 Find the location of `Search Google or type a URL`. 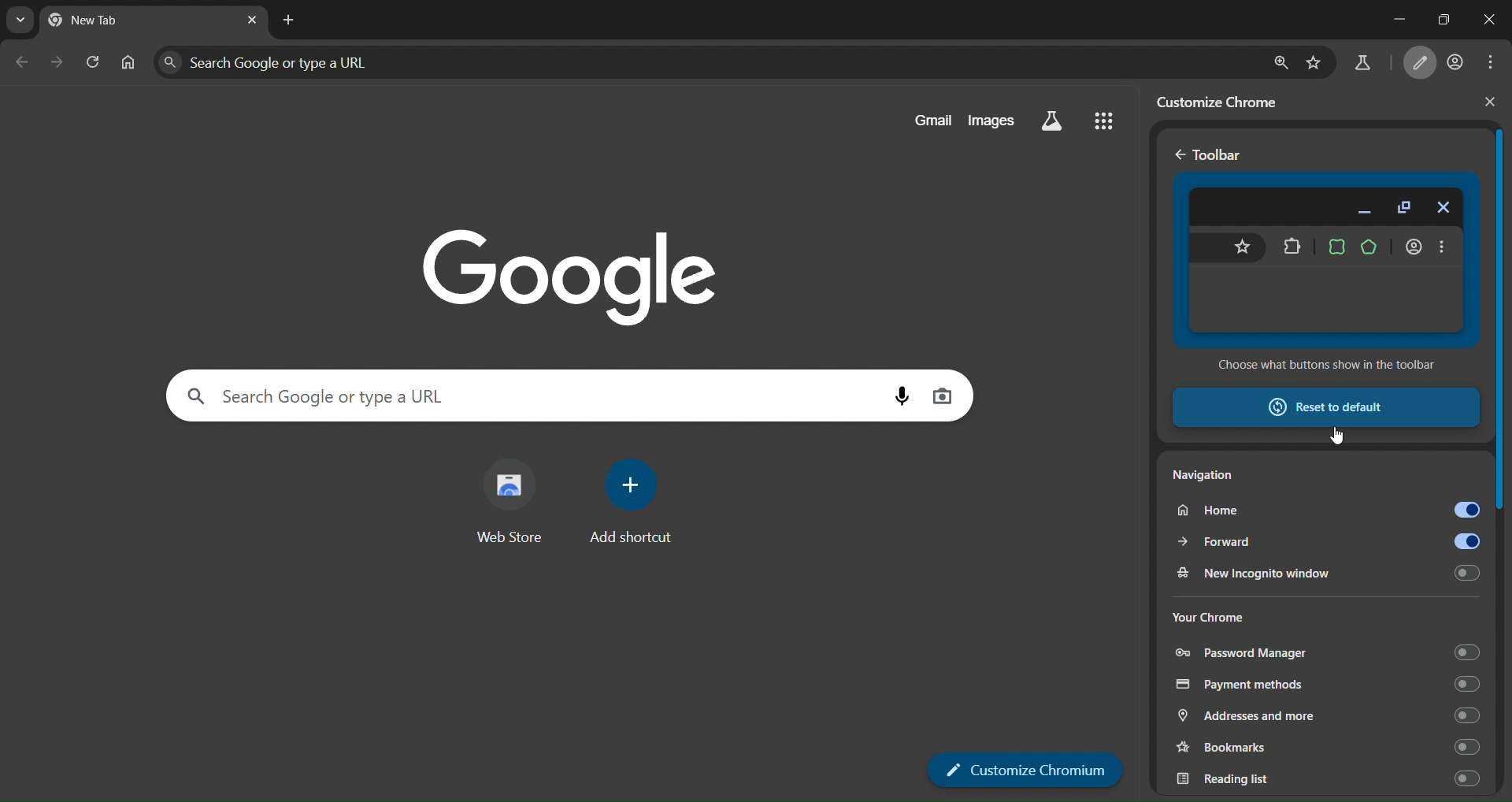

Search Google or type a URL is located at coordinates (533, 395).